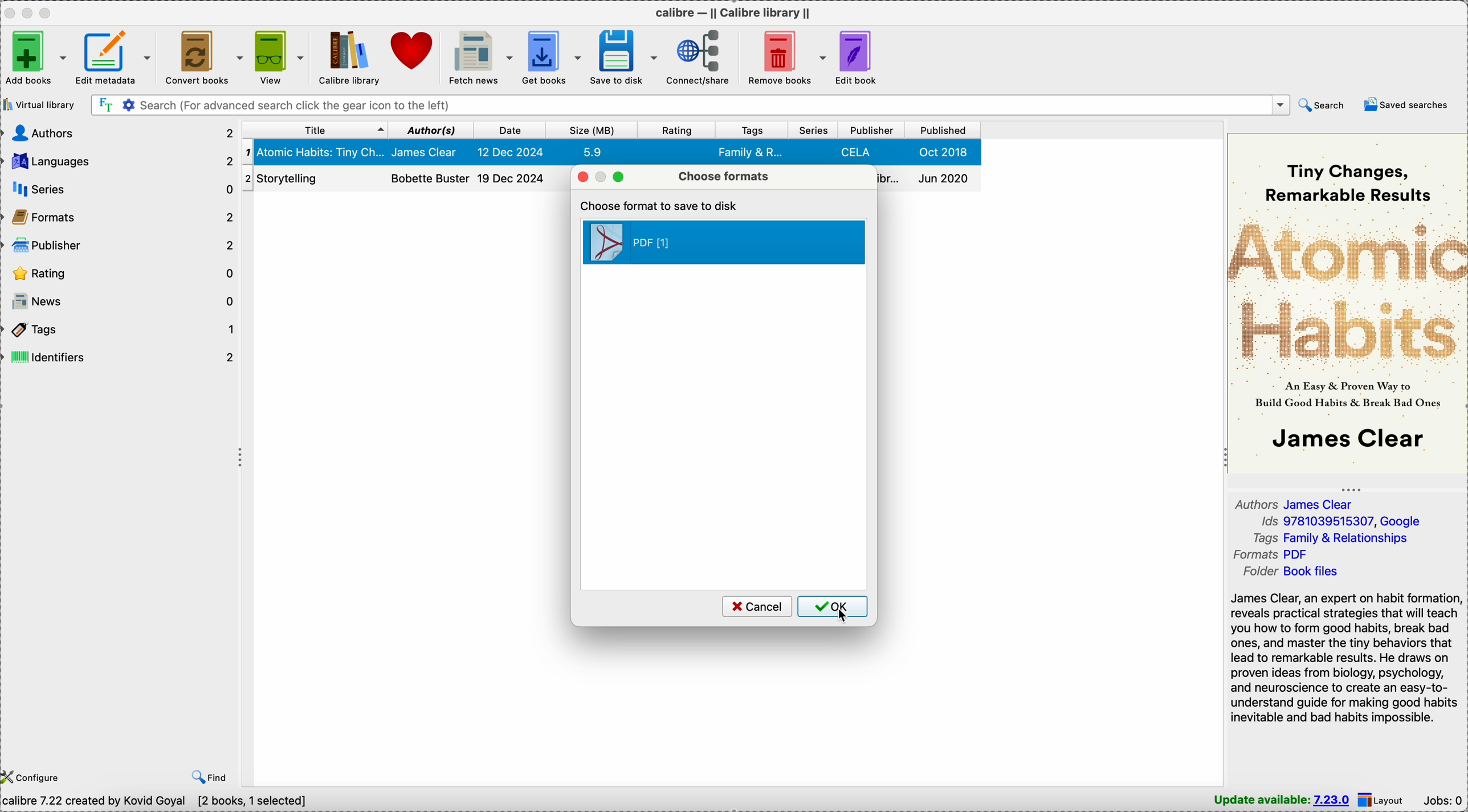 The width and height of the screenshot is (1468, 812). What do you see at coordinates (1270, 554) in the screenshot?
I see `formats PDF` at bounding box center [1270, 554].